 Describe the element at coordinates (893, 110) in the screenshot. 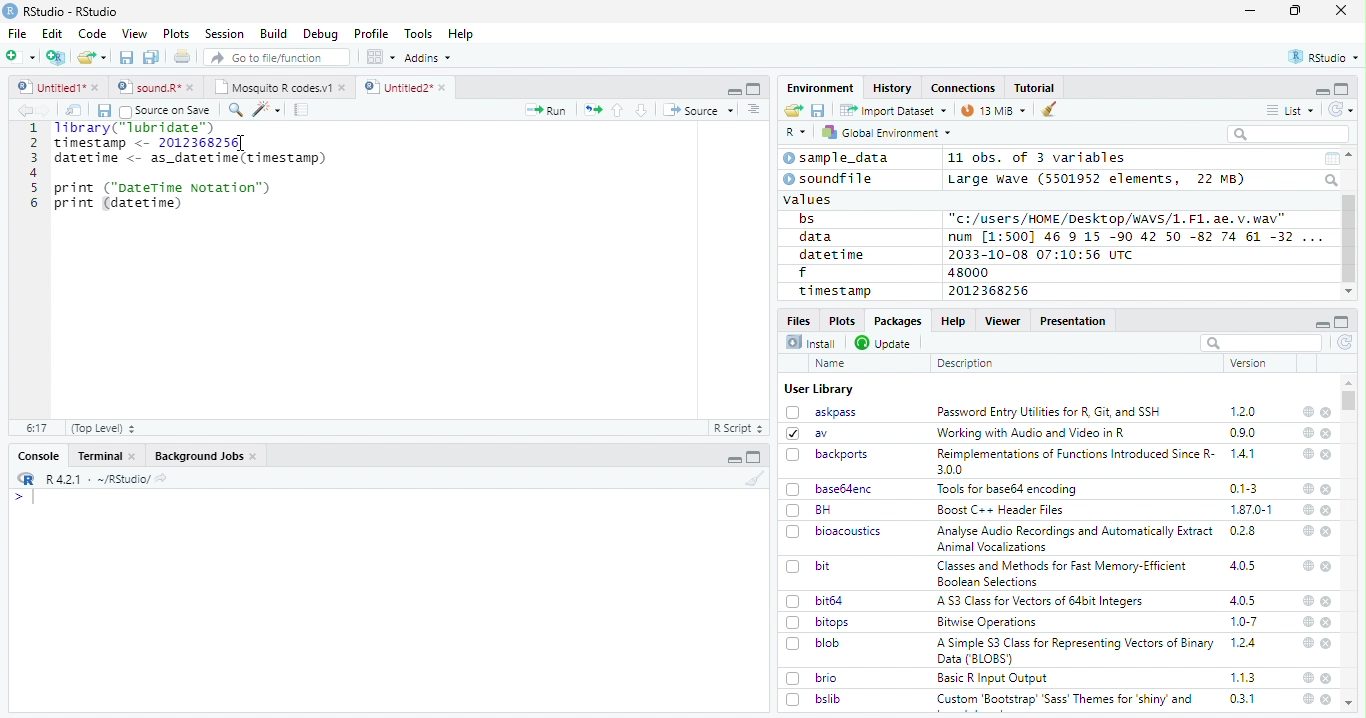

I see `Import Dataset` at that location.